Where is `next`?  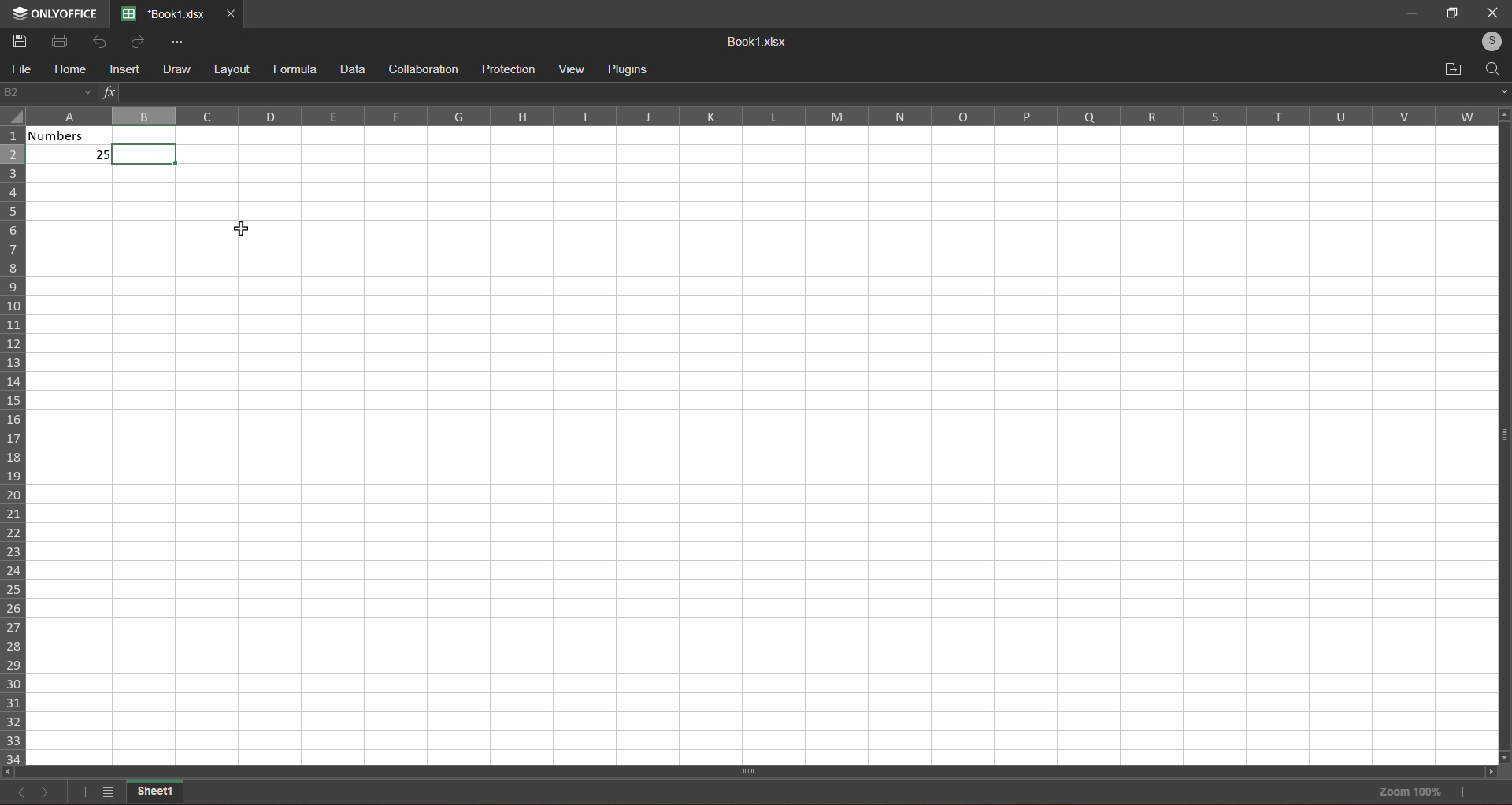 next is located at coordinates (45, 793).